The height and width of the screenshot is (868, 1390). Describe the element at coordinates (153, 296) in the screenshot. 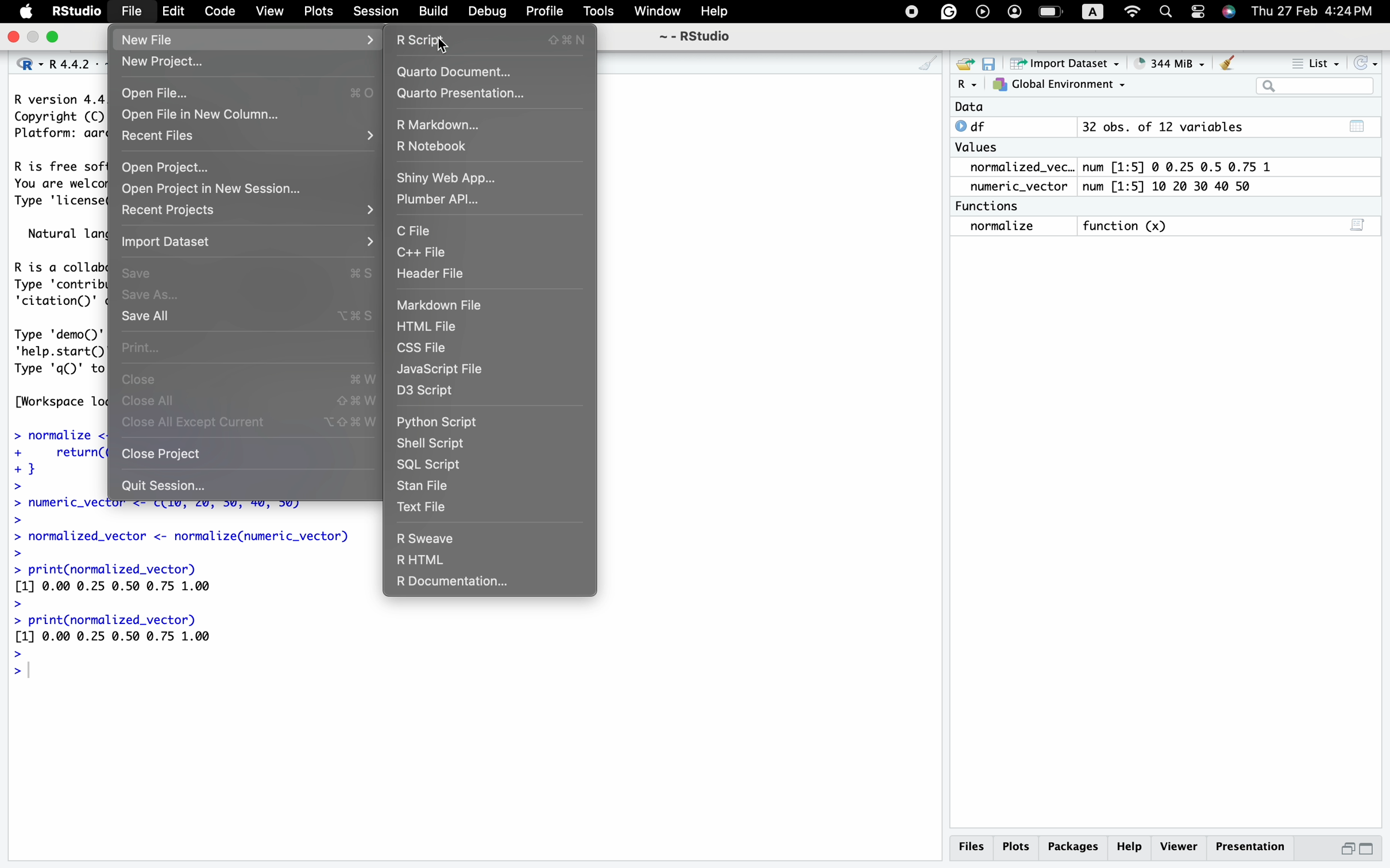

I see `Save as...` at that location.